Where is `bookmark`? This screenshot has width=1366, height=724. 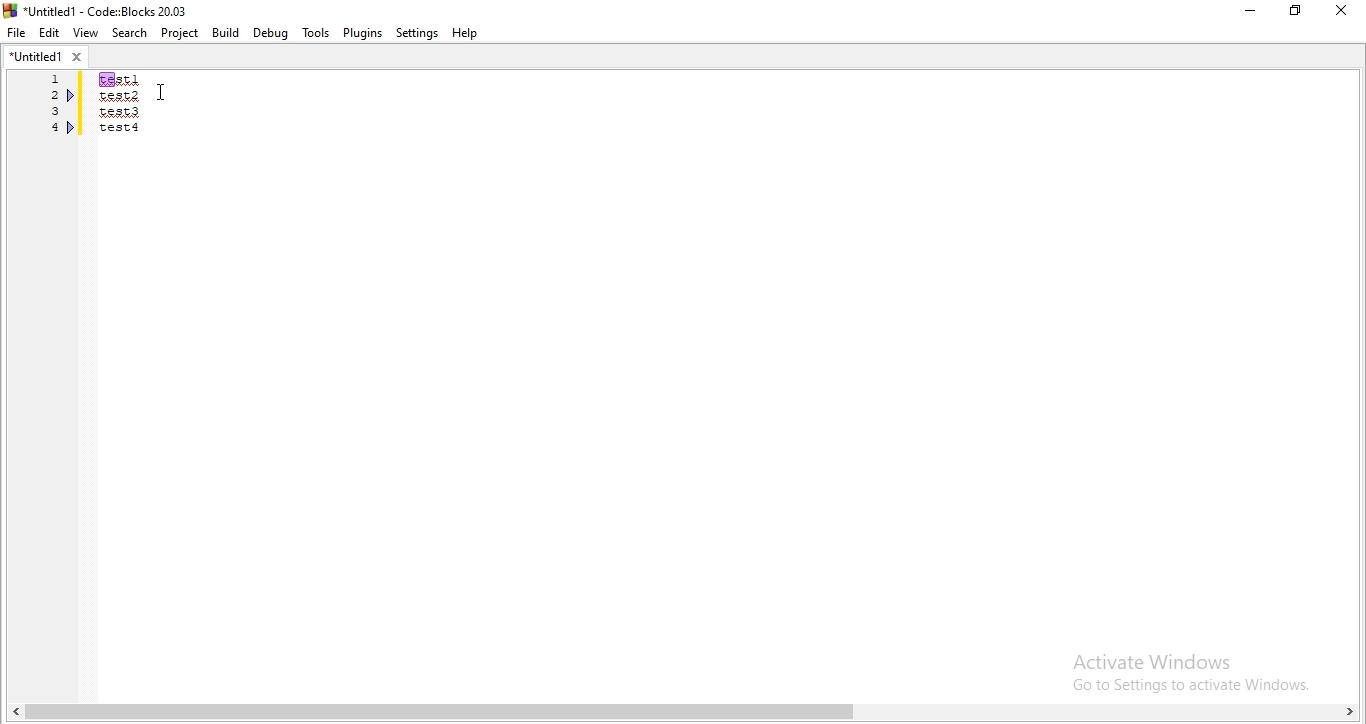
bookmark is located at coordinates (73, 127).